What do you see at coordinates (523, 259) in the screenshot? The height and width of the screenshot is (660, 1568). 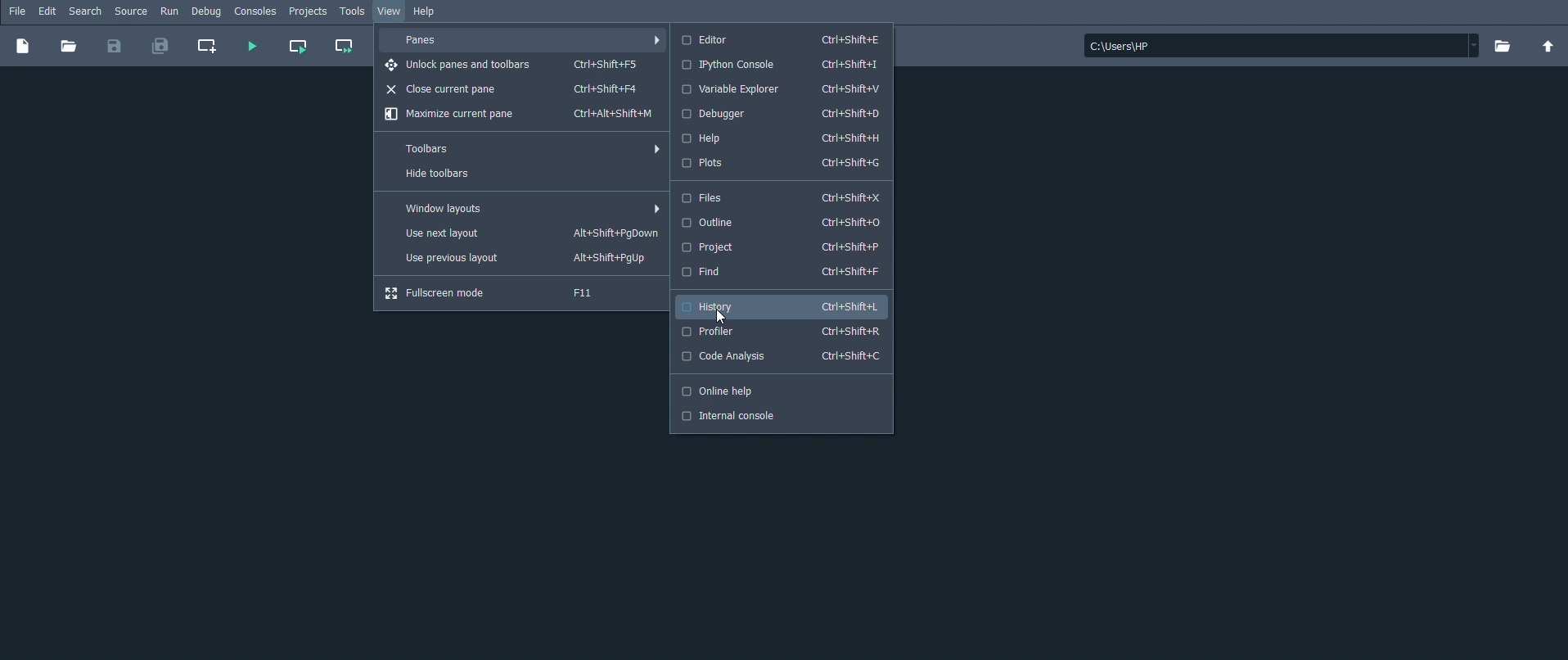 I see `Use previous layout` at bounding box center [523, 259].